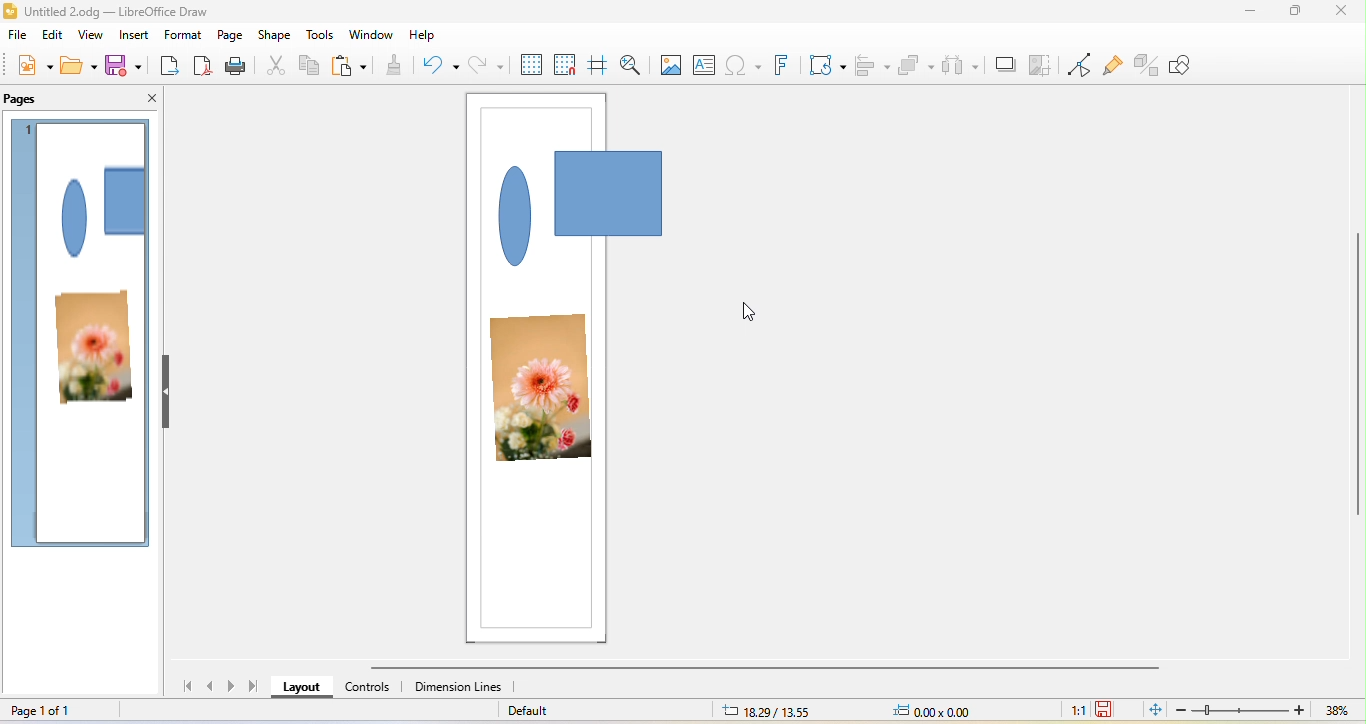  What do you see at coordinates (55, 37) in the screenshot?
I see `edit` at bounding box center [55, 37].